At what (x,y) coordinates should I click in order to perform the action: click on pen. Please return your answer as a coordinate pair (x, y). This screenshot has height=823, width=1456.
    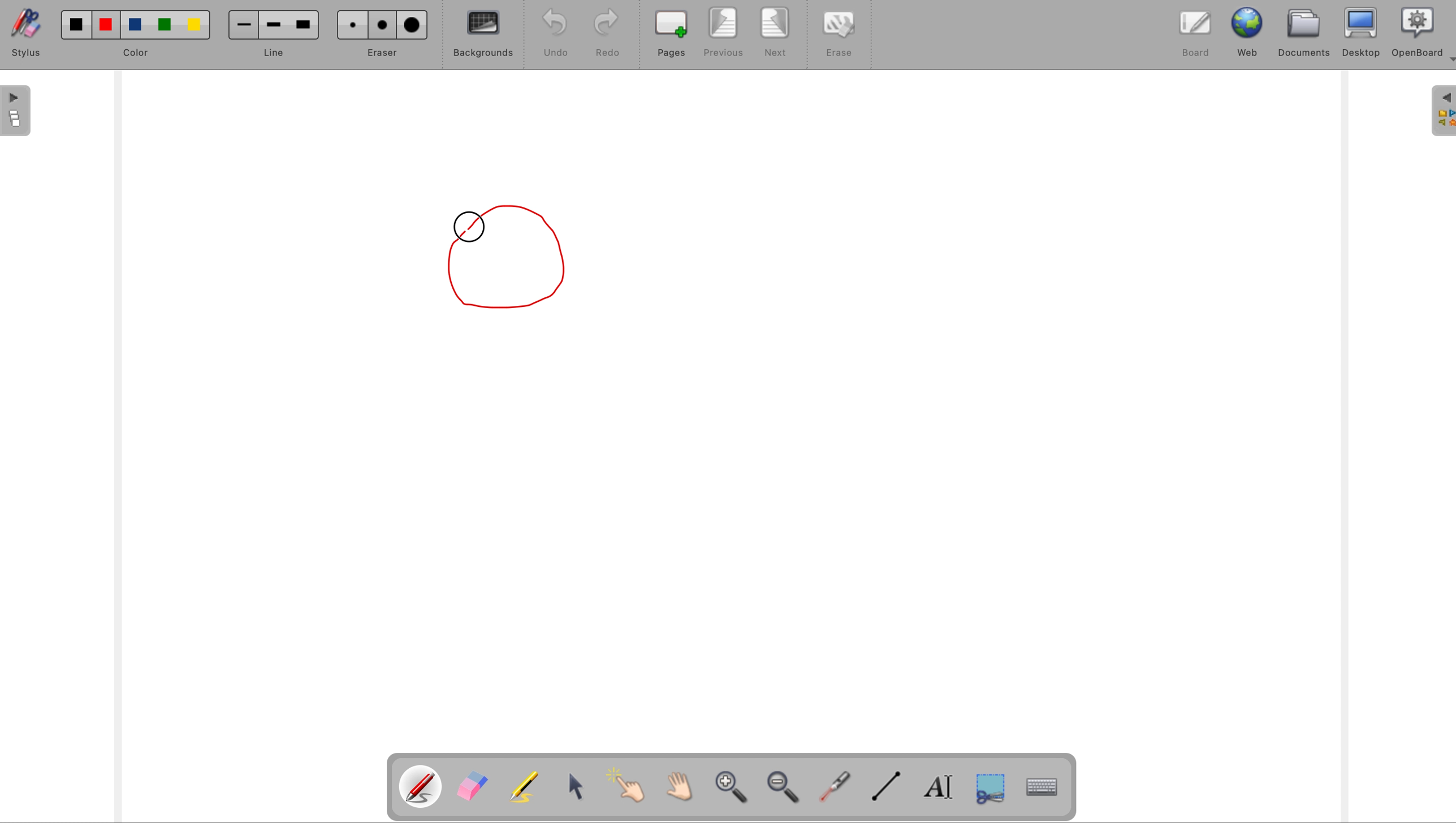
    Looking at the image, I should click on (421, 787).